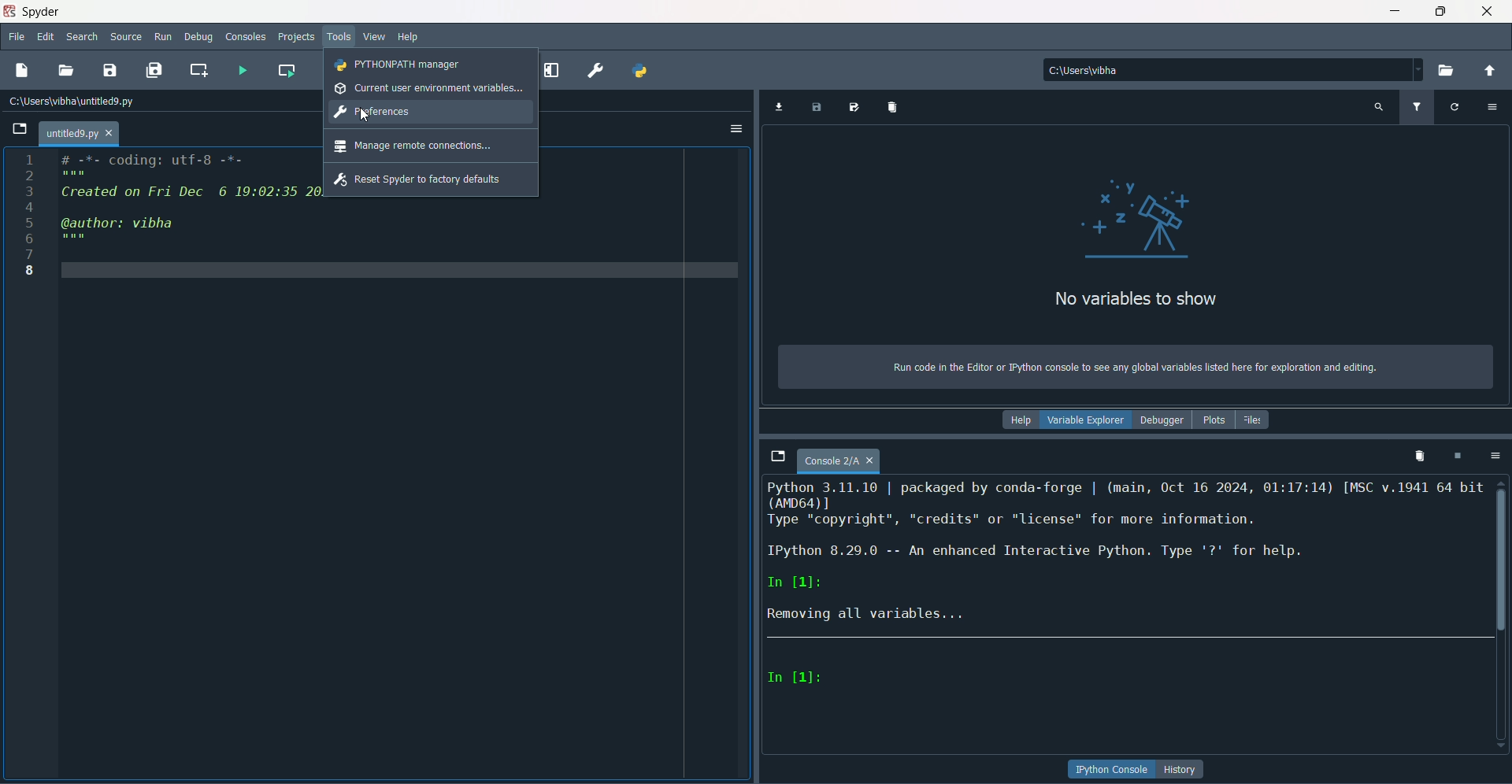  Describe the element at coordinates (554, 68) in the screenshot. I see `debug selection` at that location.